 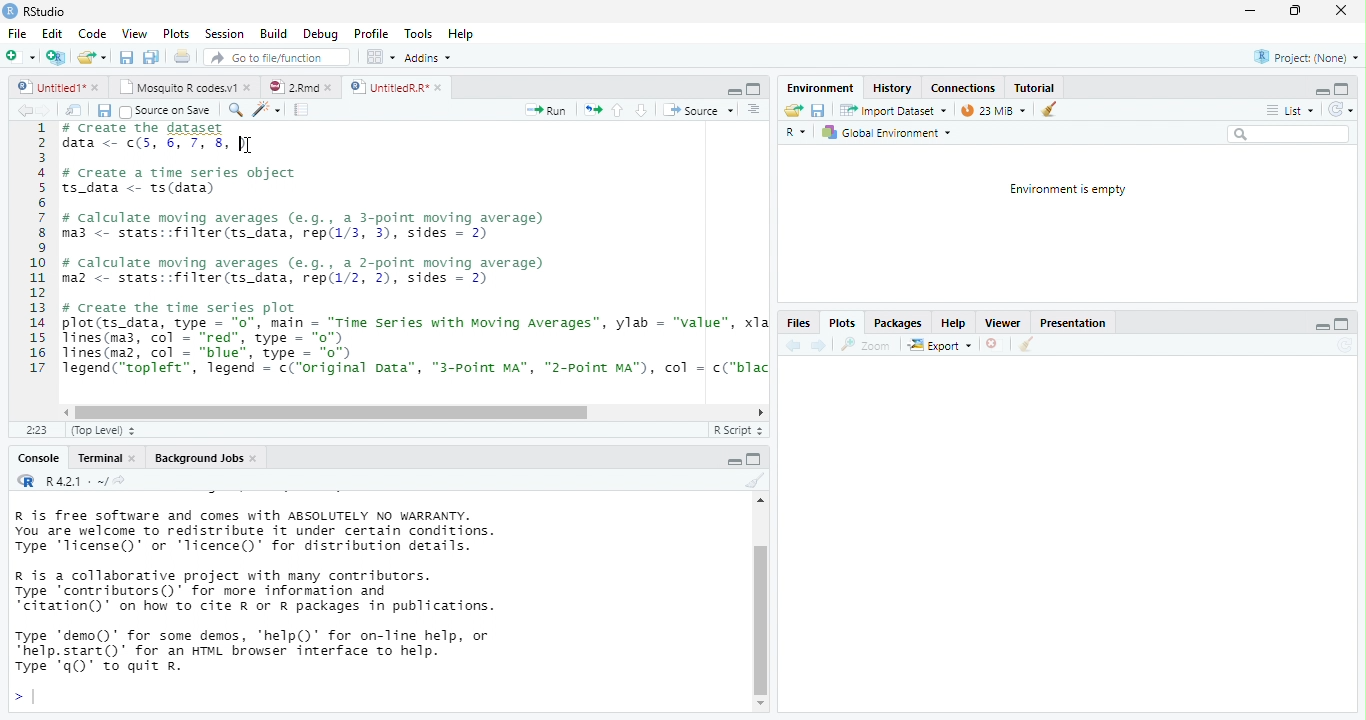 I want to click on export, so click(x=939, y=346).